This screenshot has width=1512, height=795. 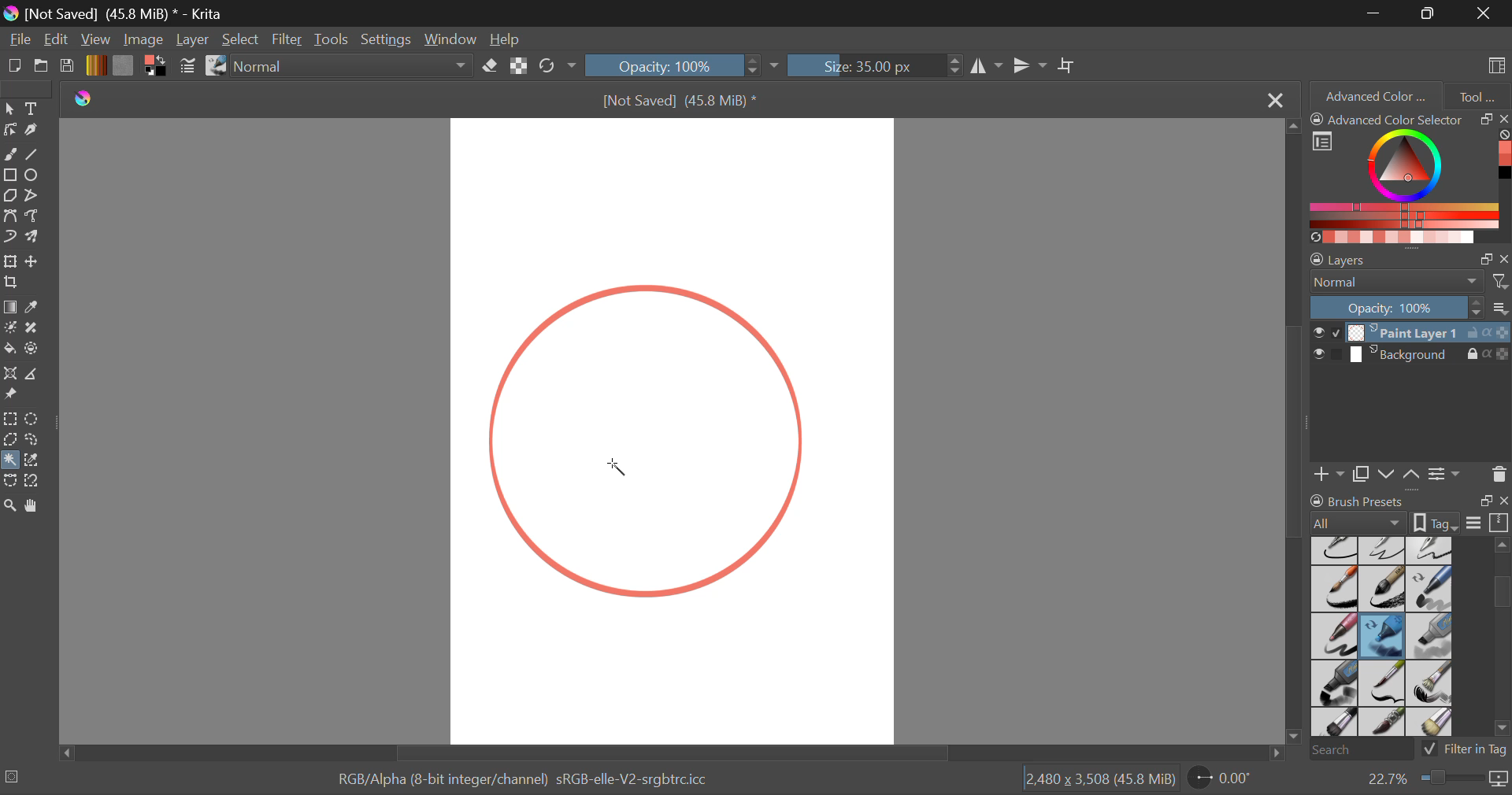 I want to click on Ink-2 Fineliner, so click(x=1336, y=549).